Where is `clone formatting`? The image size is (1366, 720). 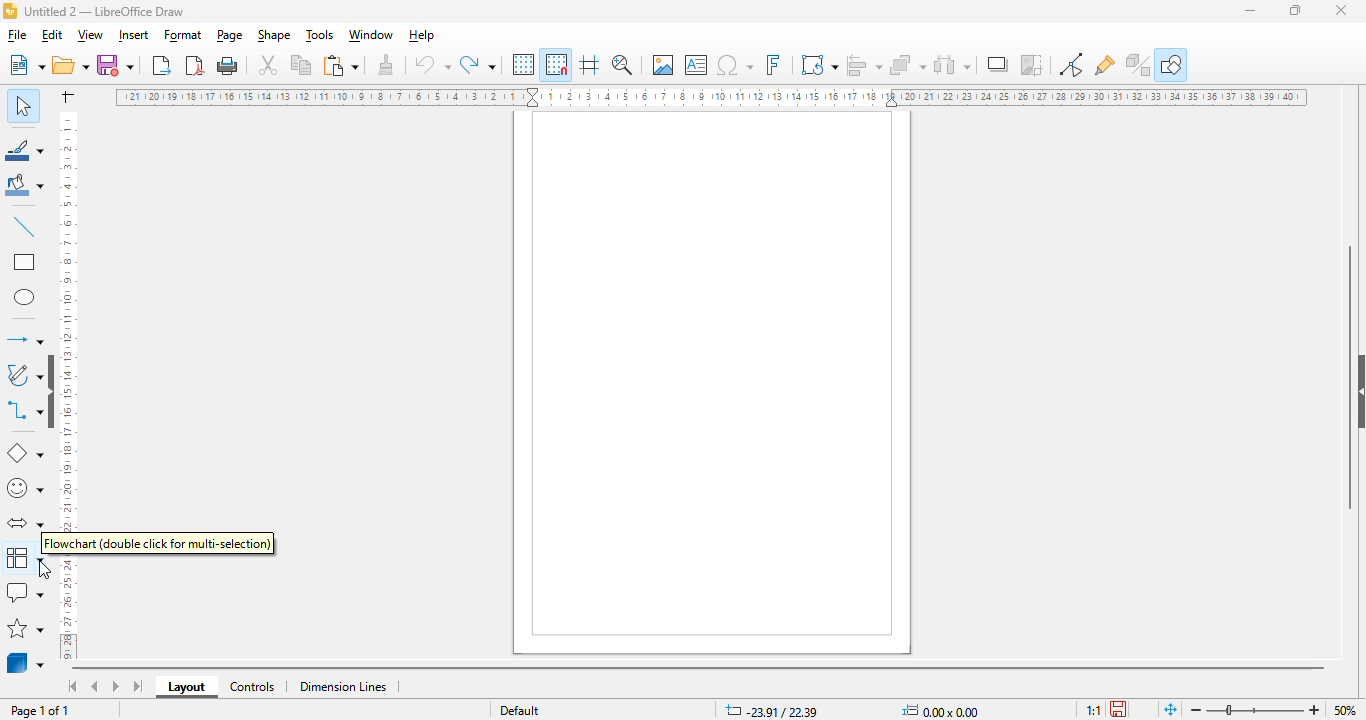
clone formatting is located at coordinates (386, 65).